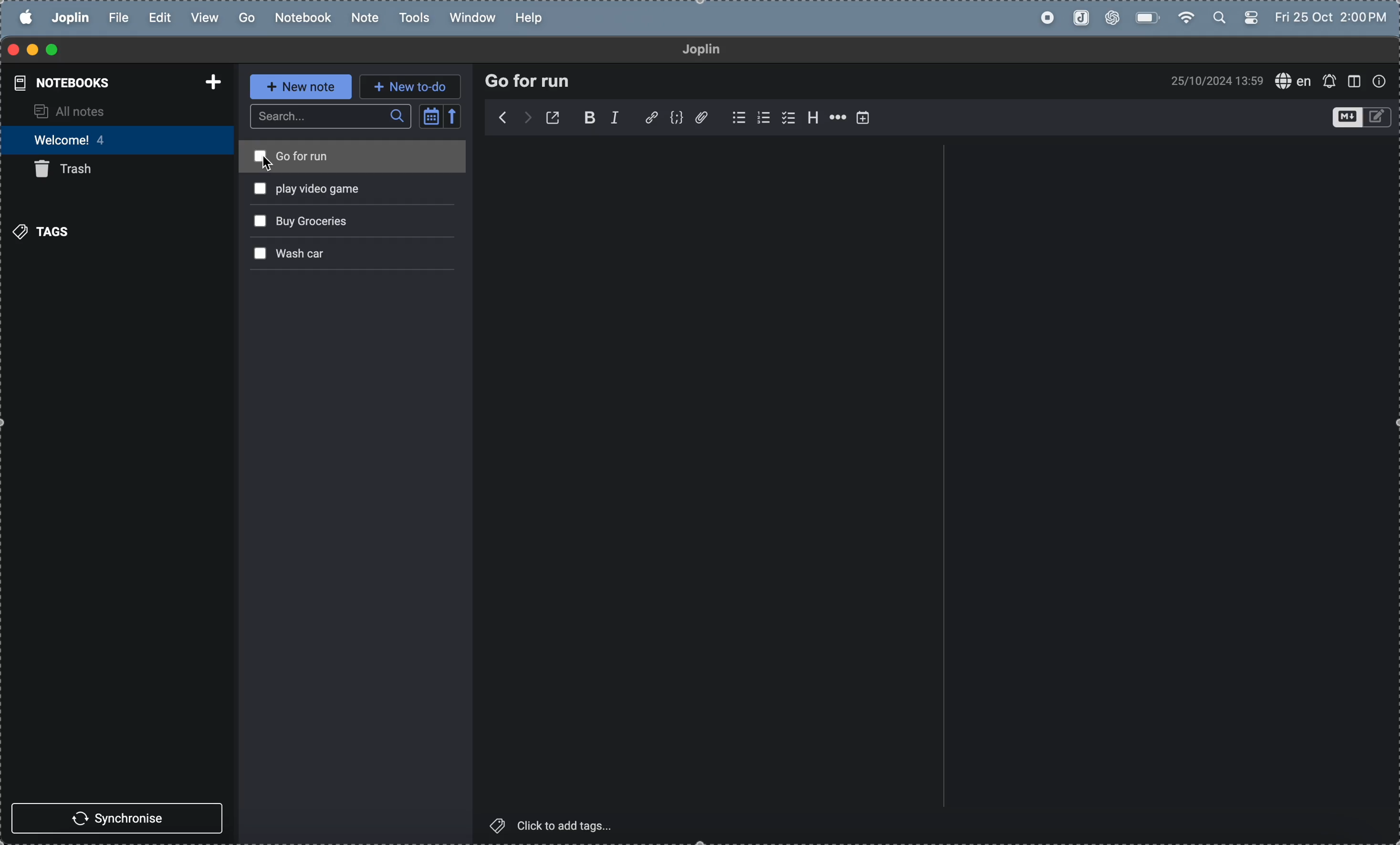  What do you see at coordinates (1293, 81) in the screenshot?
I see `spell check` at bounding box center [1293, 81].